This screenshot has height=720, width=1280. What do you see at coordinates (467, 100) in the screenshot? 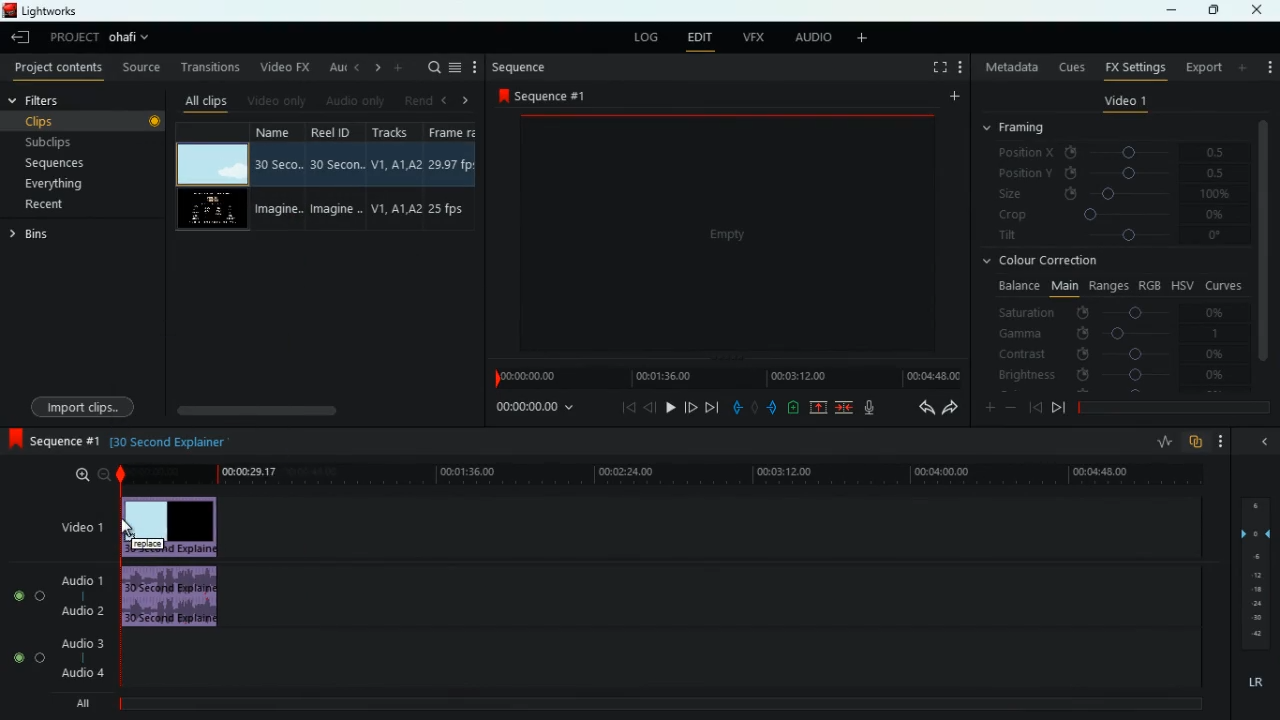
I see `right` at bounding box center [467, 100].